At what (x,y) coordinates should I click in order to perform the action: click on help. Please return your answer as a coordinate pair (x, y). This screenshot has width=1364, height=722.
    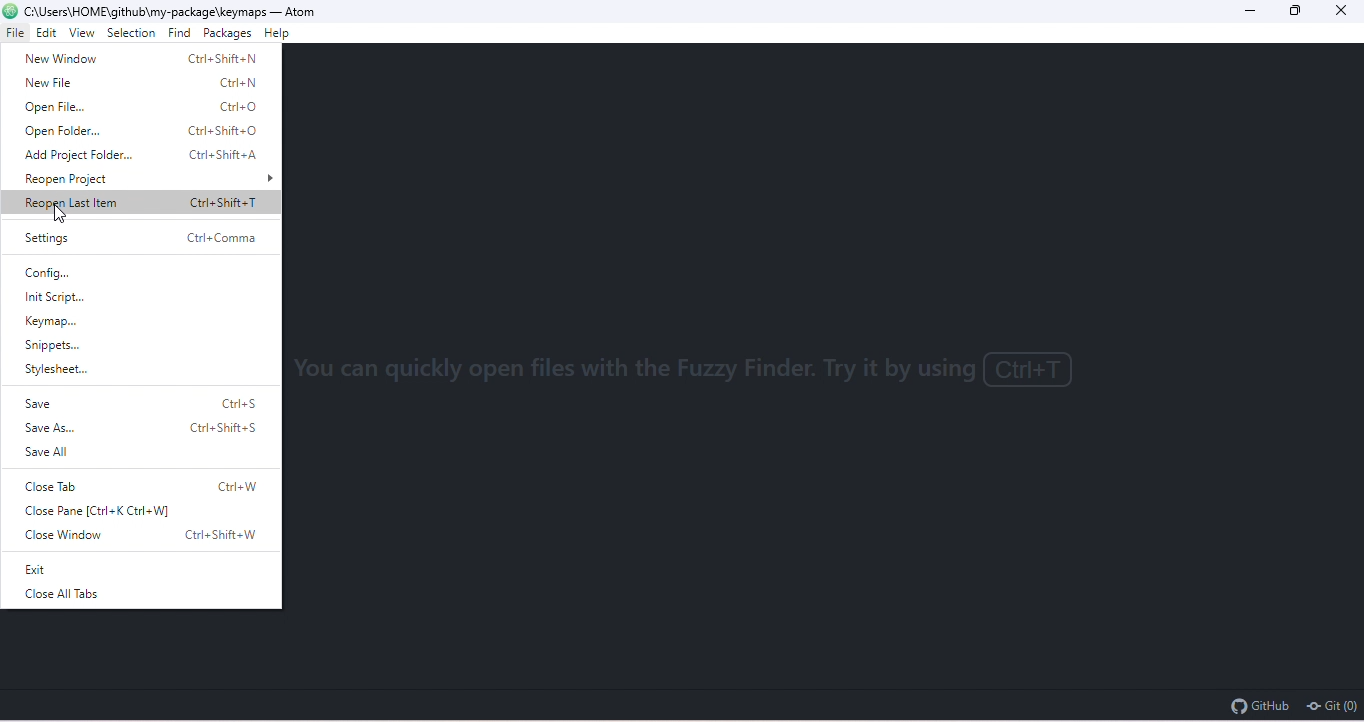
    Looking at the image, I should click on (280, 32).